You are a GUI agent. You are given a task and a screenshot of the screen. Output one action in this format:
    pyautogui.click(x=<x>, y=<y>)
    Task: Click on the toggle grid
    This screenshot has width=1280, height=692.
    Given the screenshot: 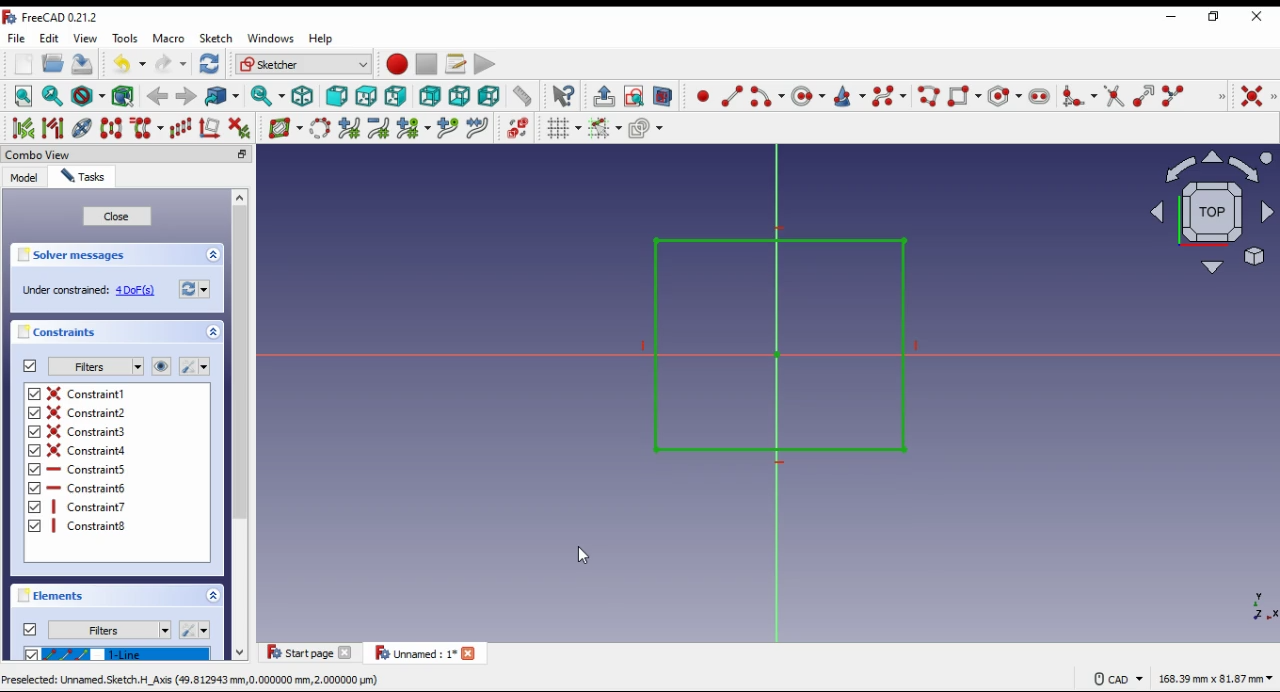 What is the action you would take?
    pyautogui.click(x=563, y=128)
    